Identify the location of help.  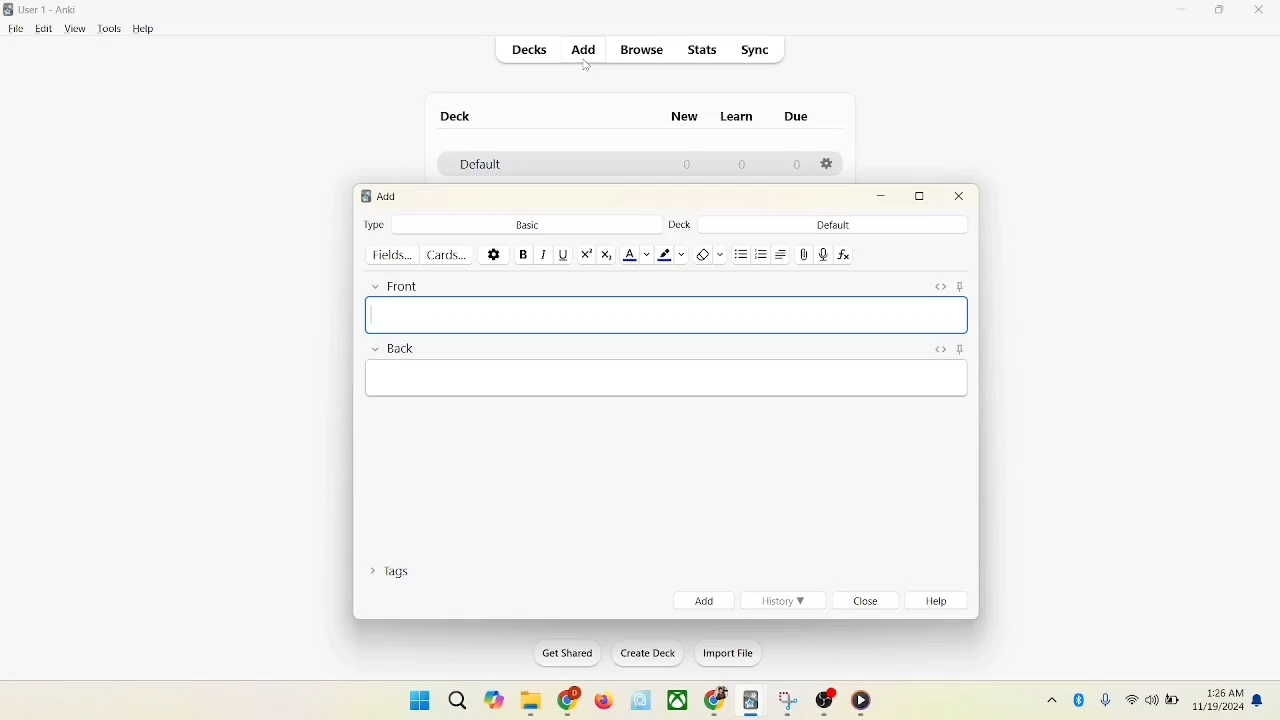
(144, 29).